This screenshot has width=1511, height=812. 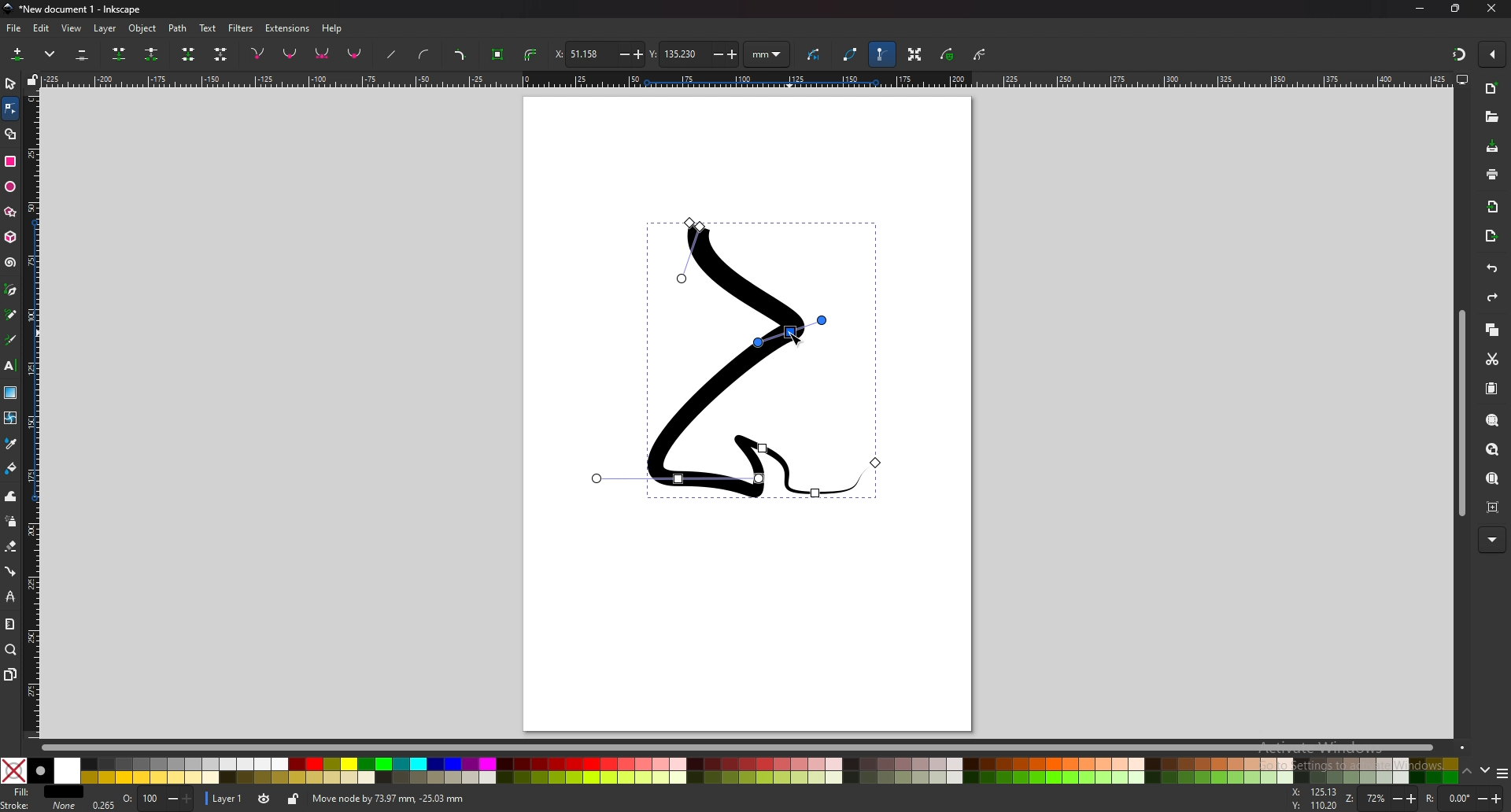 What do you see at coordinates (1491, 450) in the screenshot?
I see `zoom drawing` at bounding box center [1491, 450].